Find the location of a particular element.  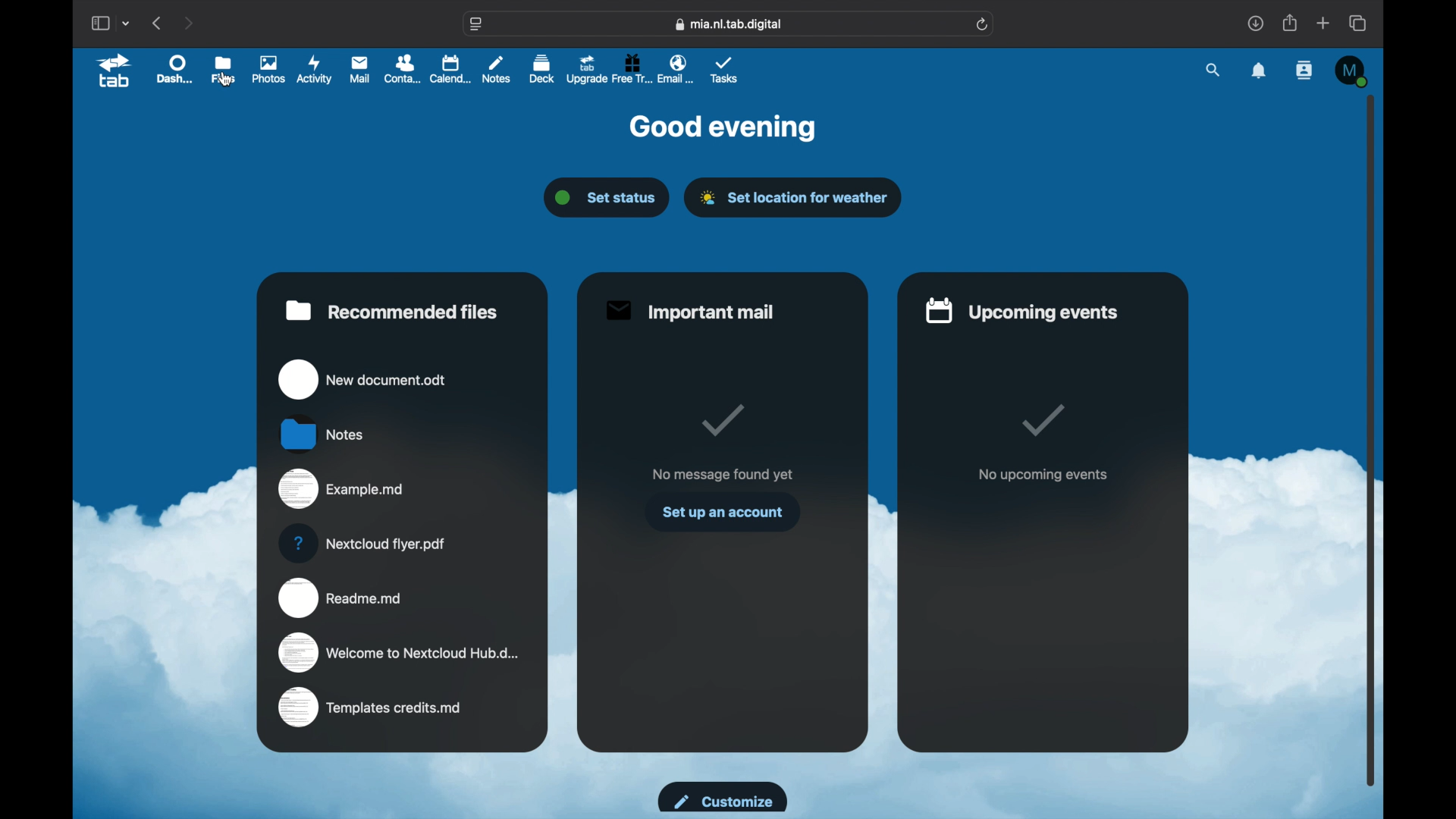

photos is located at coordinates (268, 70).